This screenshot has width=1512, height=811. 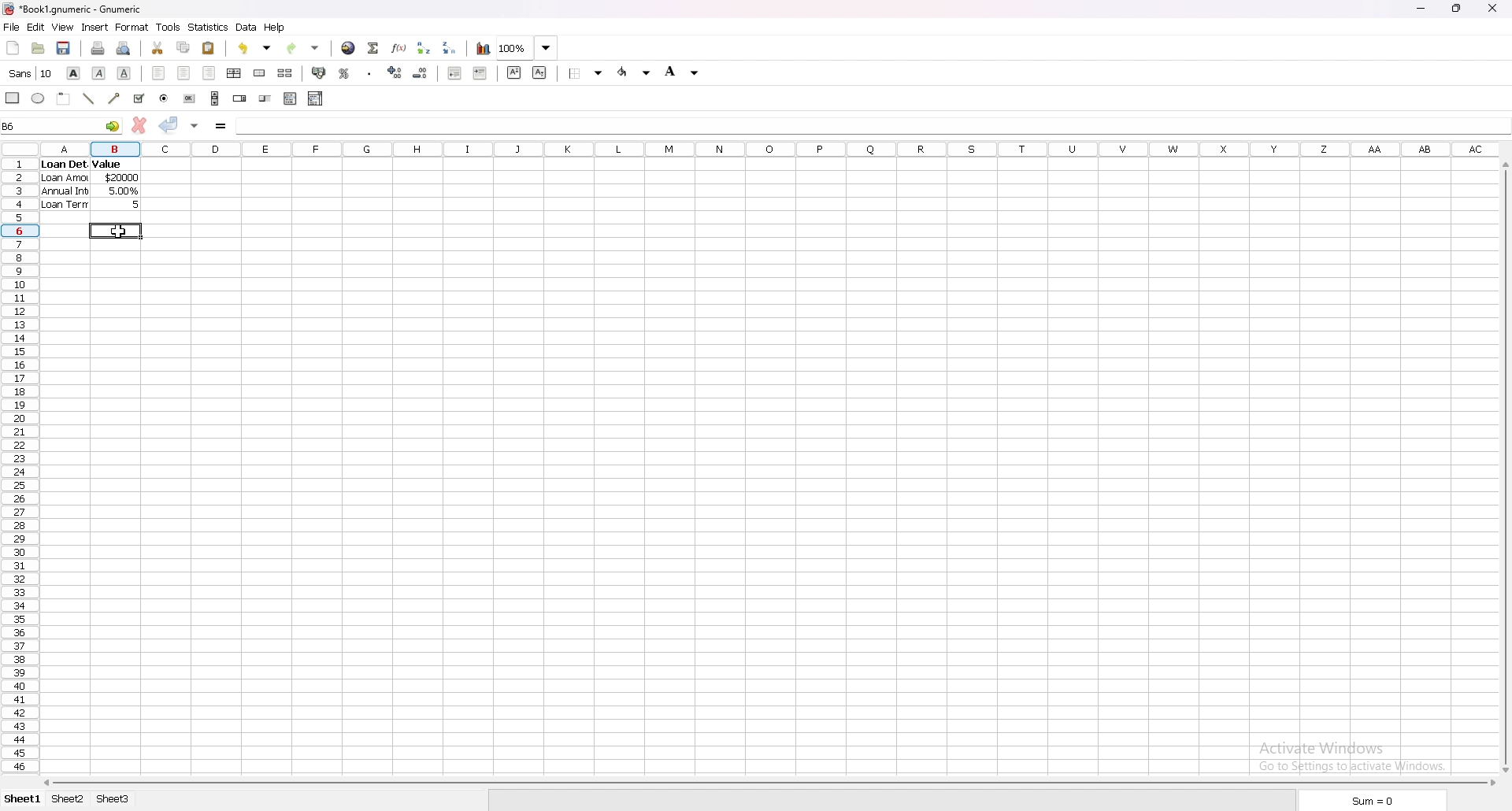 What do you see at coordinates (682, 71) in the screenshot?
I see `background` at bounding box center [682, 71].